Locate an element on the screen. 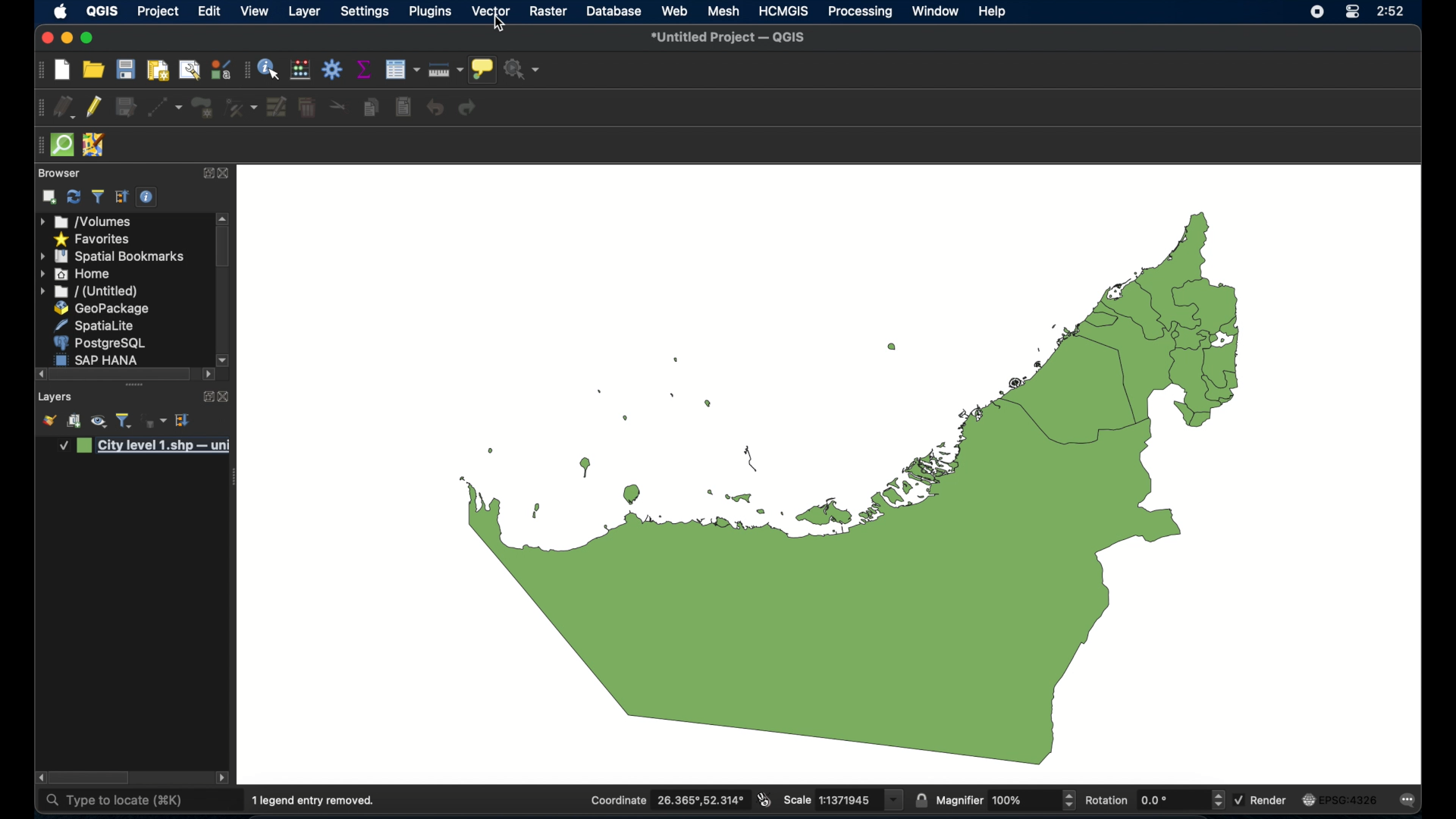 This screenshot has height=819, width=1456. volumes is located at coordinates (86, 221).